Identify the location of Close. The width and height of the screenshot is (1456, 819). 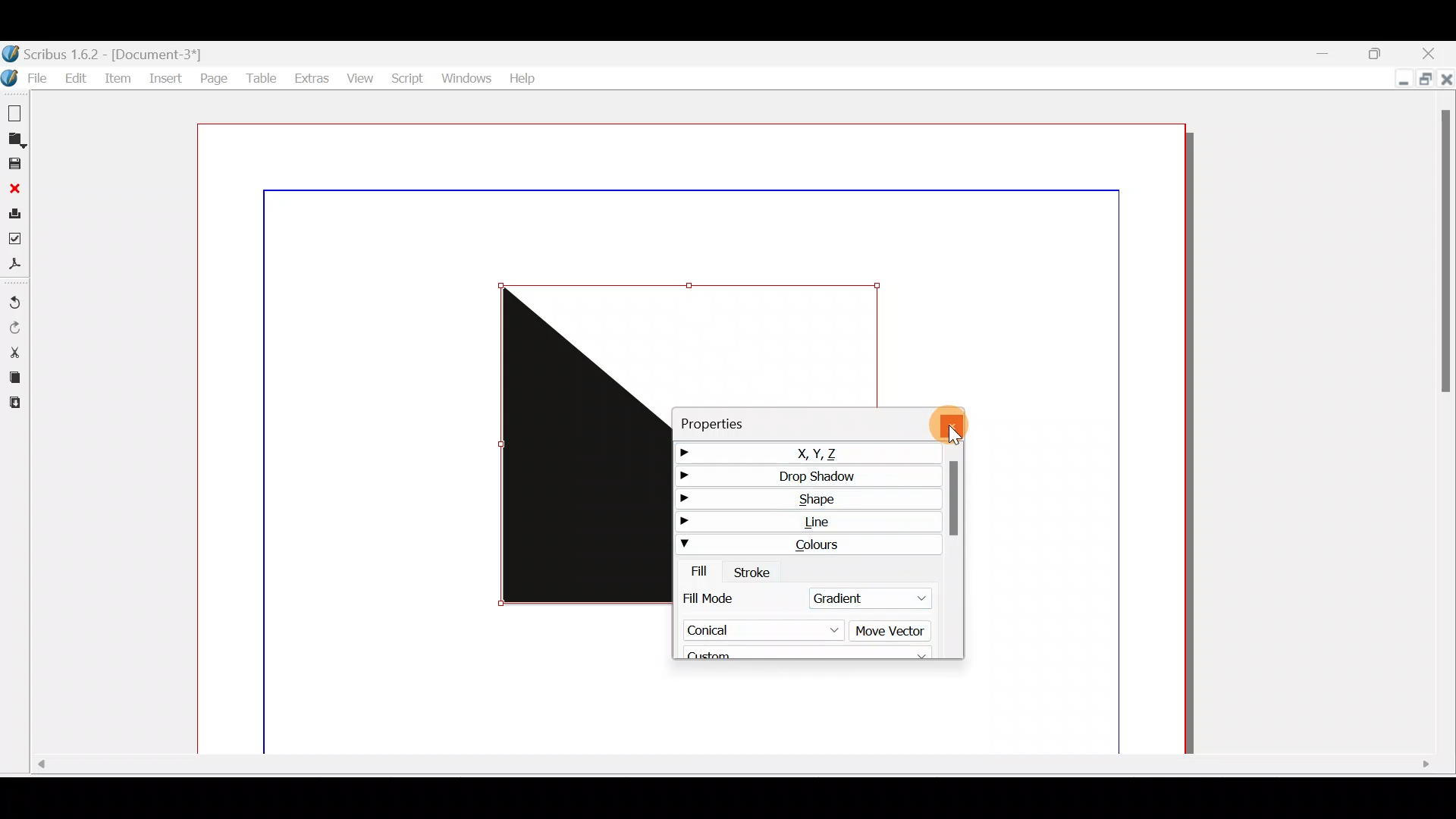
(1445, 83).